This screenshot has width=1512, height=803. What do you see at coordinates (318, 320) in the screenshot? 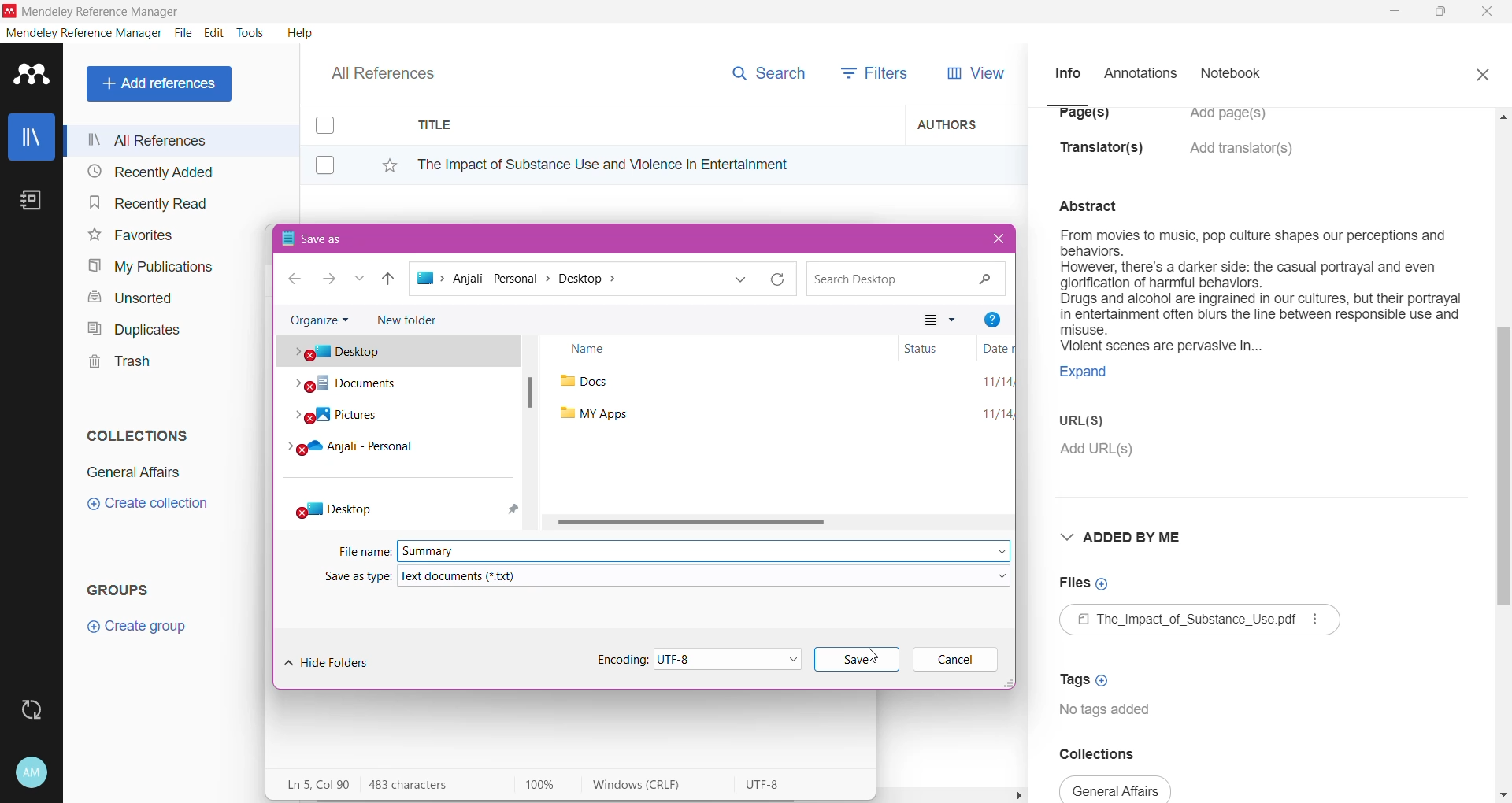
I see `Organize` at bounding box center [318, 320].